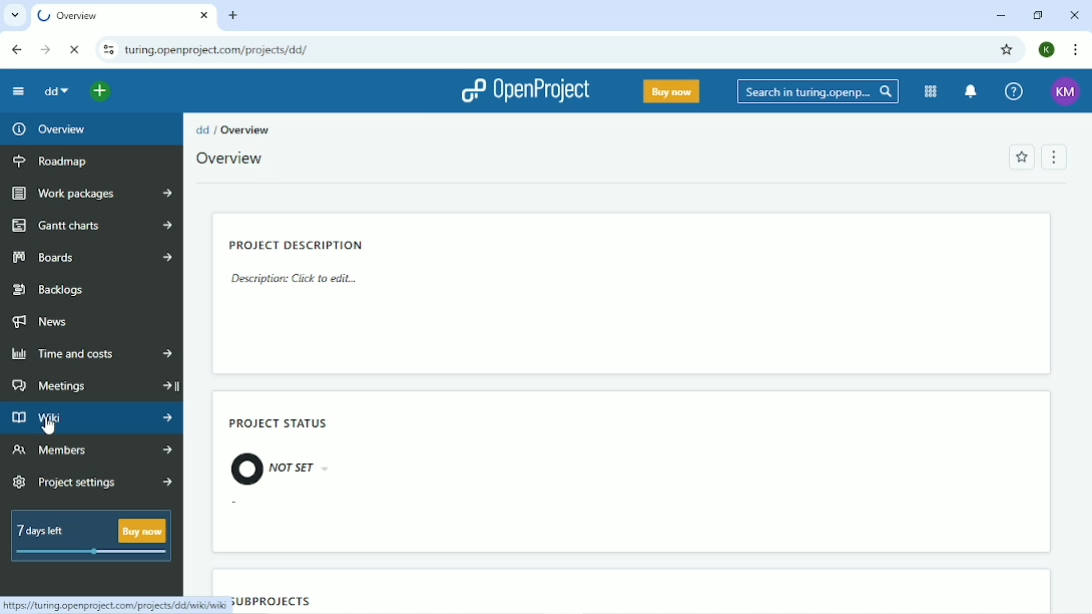 The width and height of the screenshot is (1092, 614). I want to click on New tab, so click(233, 15).